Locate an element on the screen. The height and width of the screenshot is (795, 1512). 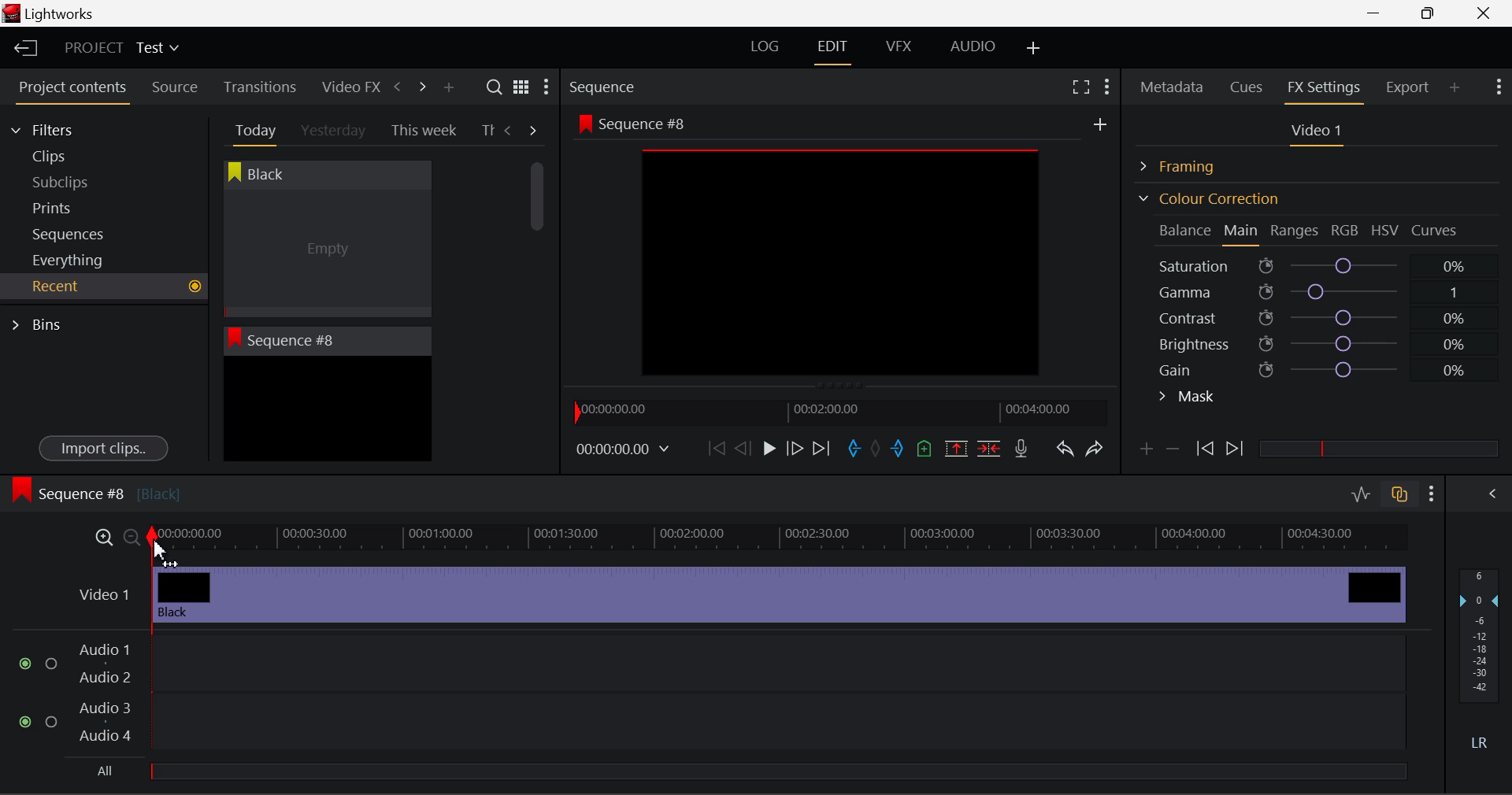
FX Settings Panel Open is located at coordinates (1325, 89).